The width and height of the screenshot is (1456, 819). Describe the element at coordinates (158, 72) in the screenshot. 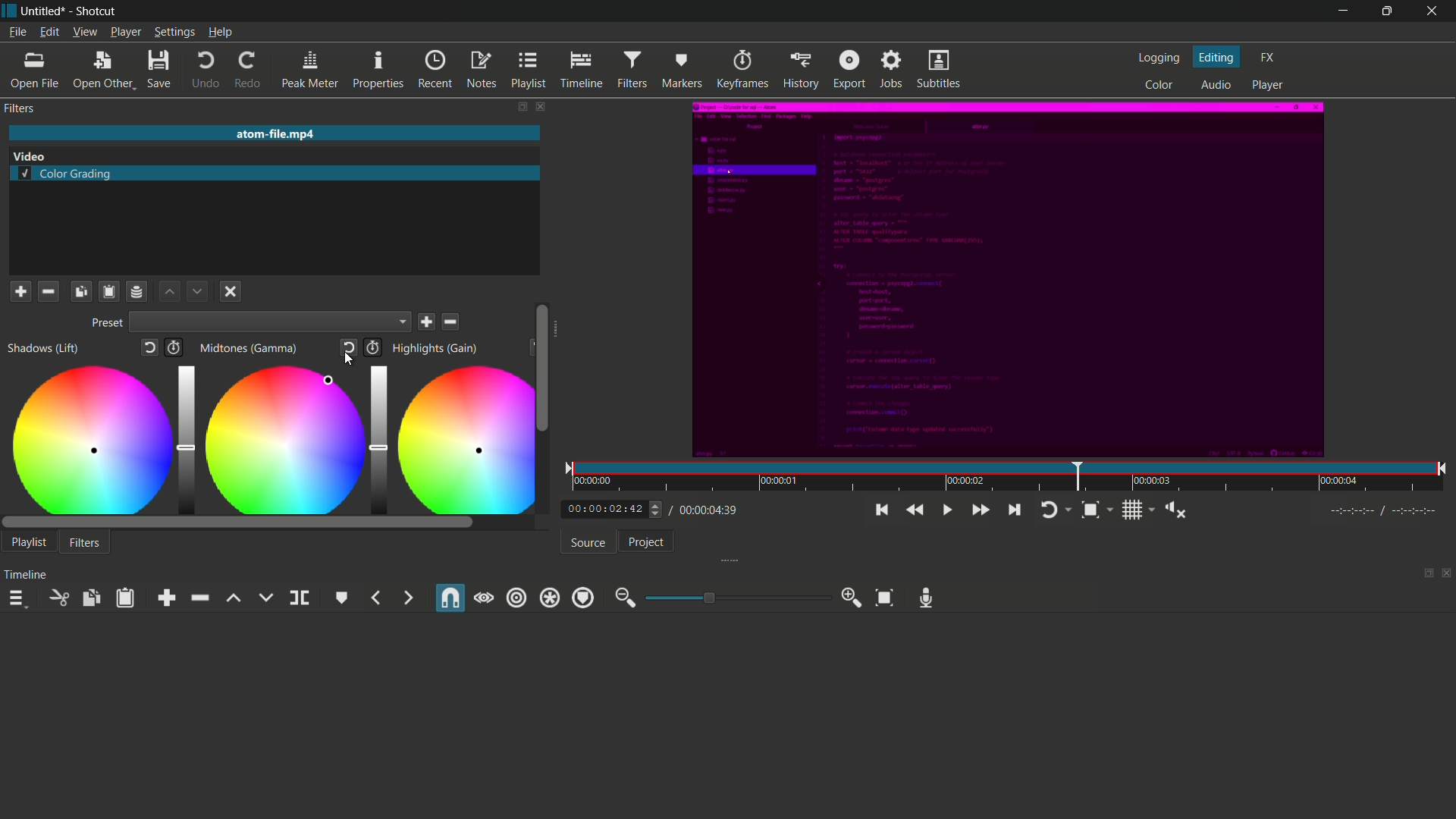

I see `save` at that location.